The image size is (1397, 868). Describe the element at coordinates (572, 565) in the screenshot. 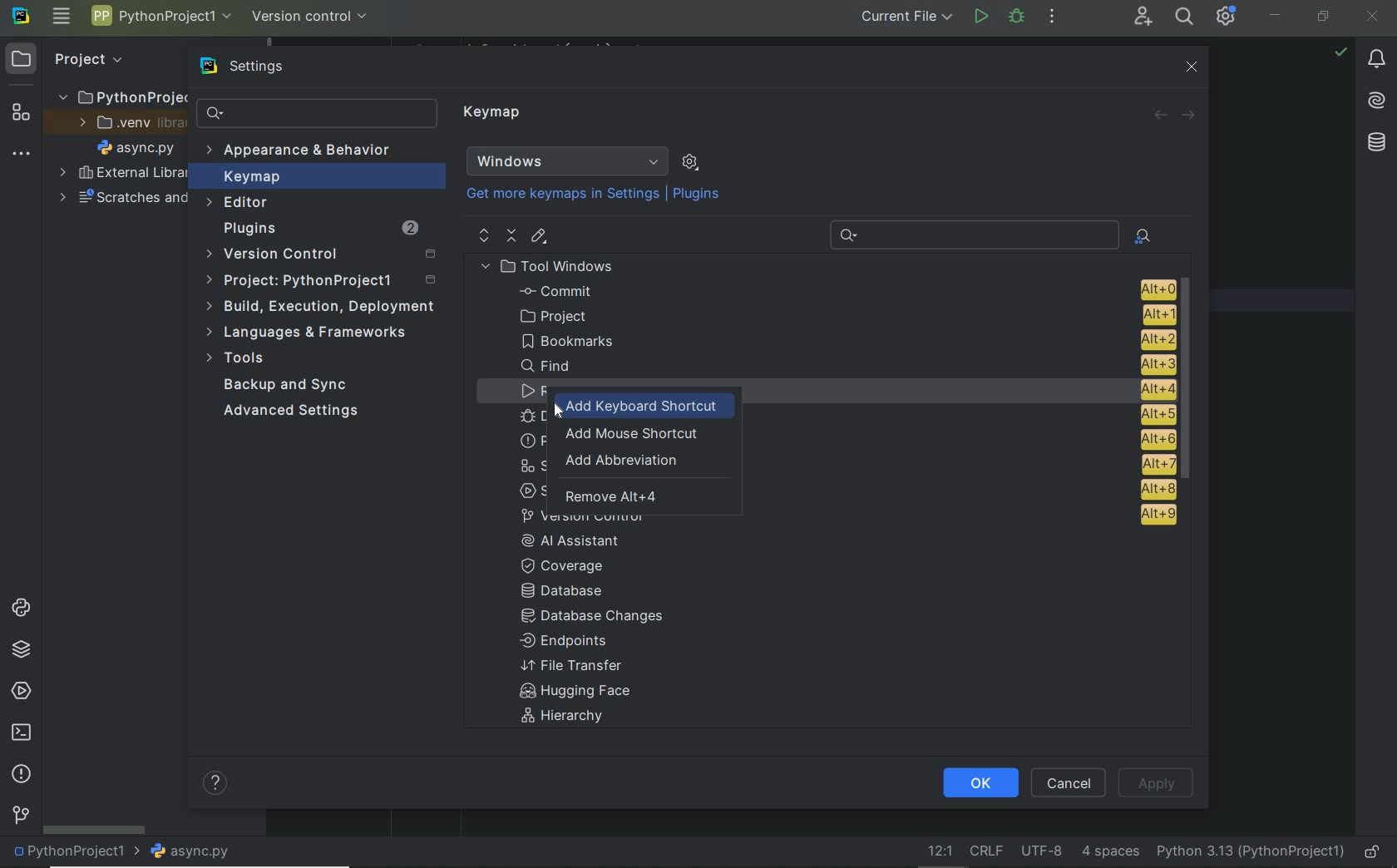

I see `coverage` at that location.